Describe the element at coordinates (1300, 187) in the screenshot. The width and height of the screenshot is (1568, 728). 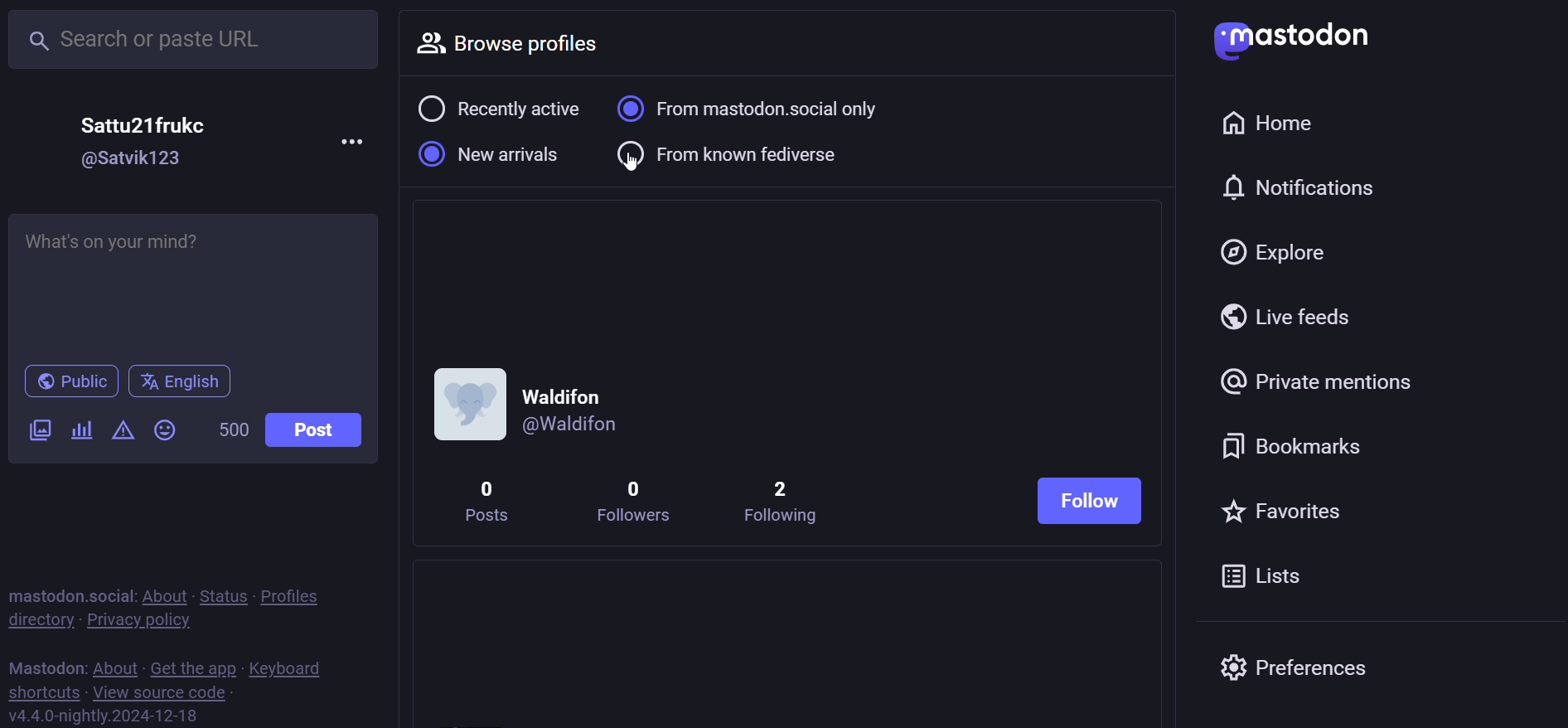
I see `notification` at that location.